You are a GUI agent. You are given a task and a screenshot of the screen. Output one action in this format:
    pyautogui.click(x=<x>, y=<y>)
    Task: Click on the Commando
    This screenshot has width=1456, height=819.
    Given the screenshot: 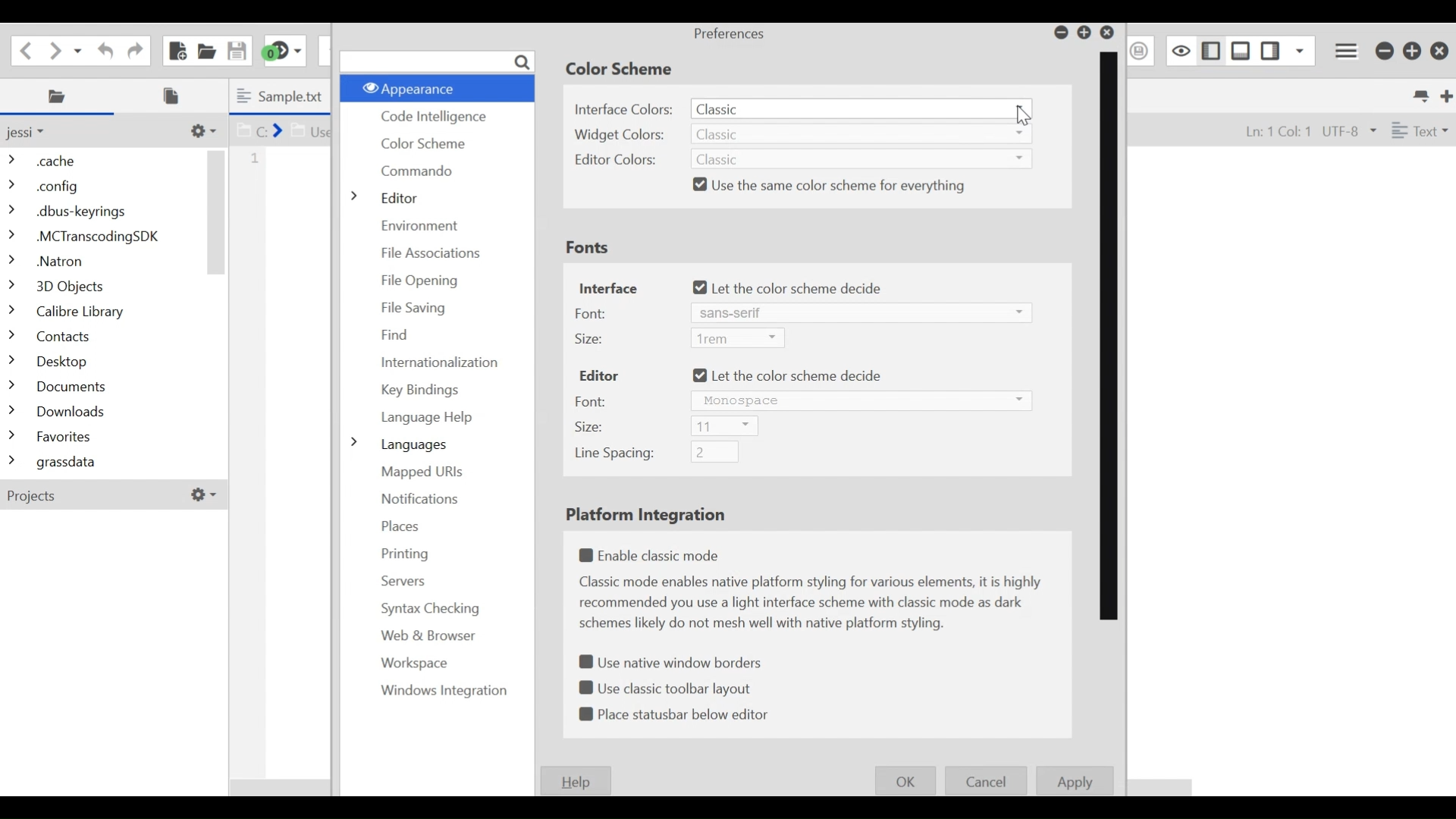 What is the action you would take?
    pyautogui.click(x=421, y=171)
    